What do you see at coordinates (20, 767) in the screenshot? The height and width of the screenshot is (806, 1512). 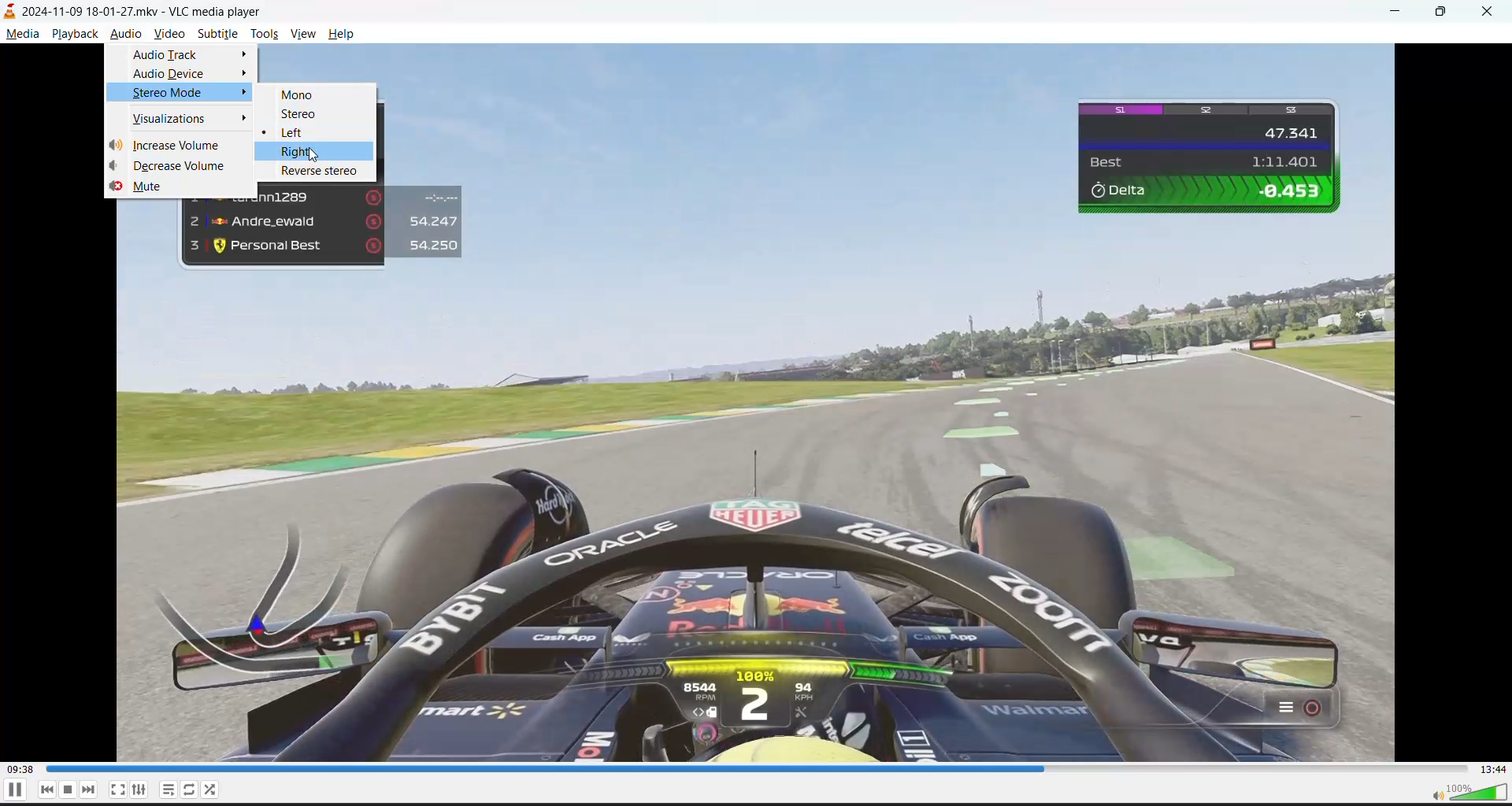 I see `current track time` at bounding box center [20, 767].